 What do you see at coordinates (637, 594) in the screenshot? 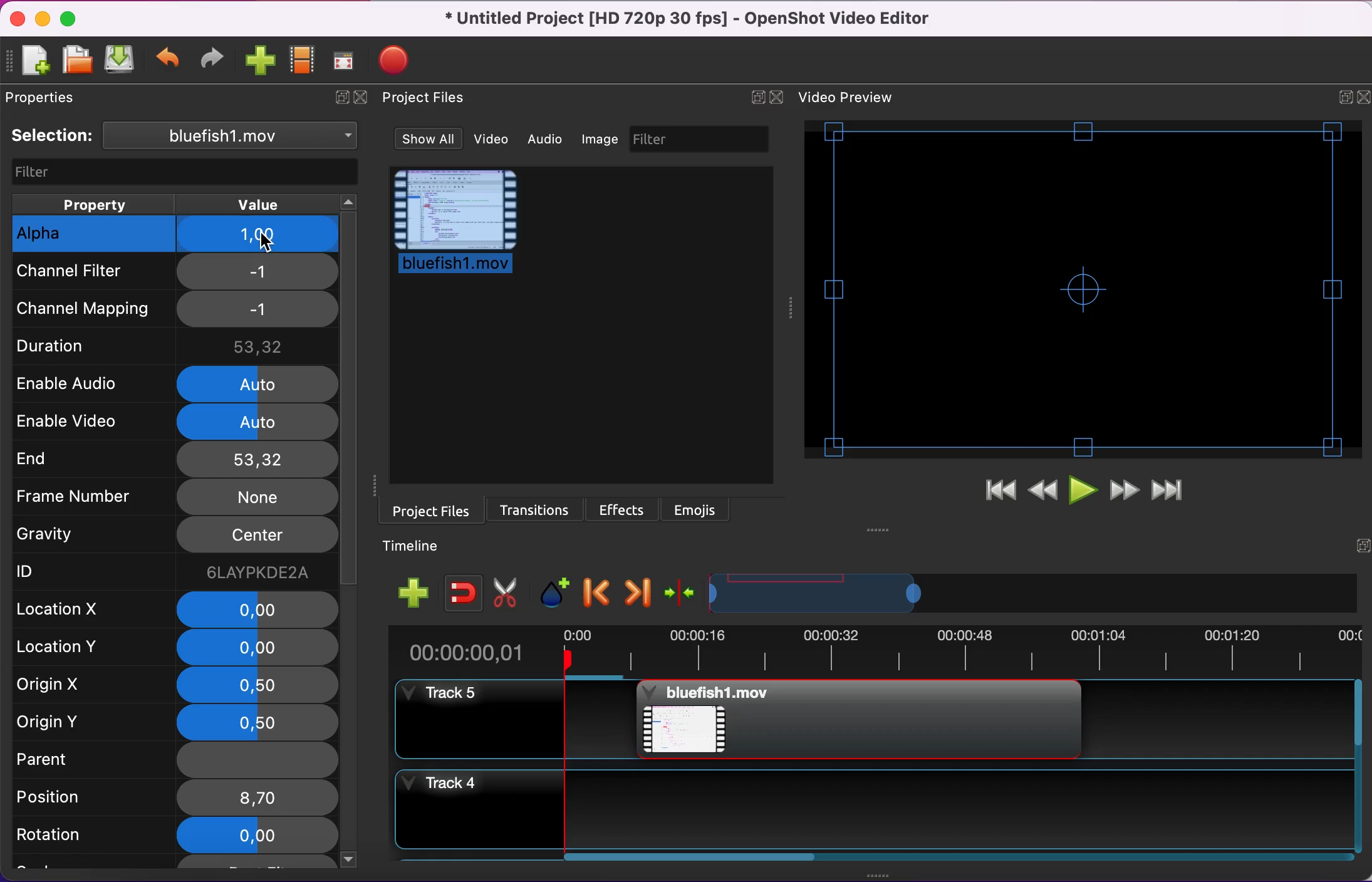
I see `next marker` at bounding box center [637, 594].